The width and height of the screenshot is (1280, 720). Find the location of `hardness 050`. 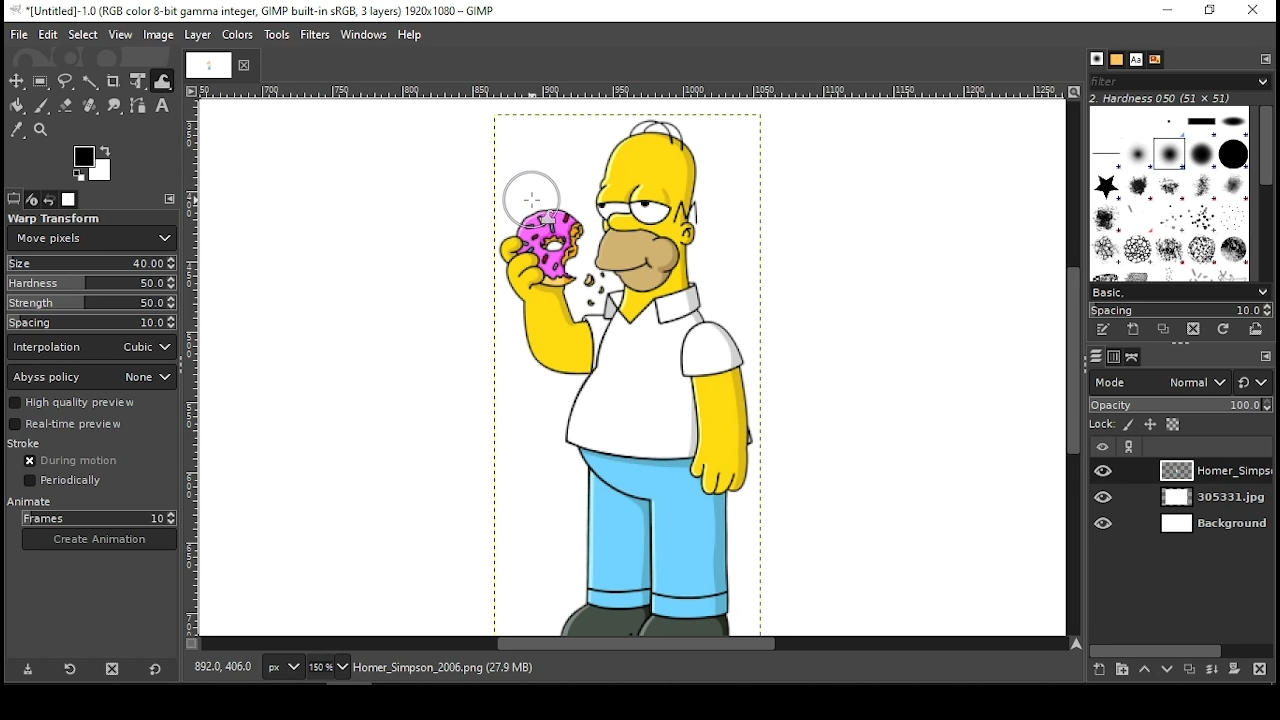

hardness 050 is located at coordinates (1187, 99).